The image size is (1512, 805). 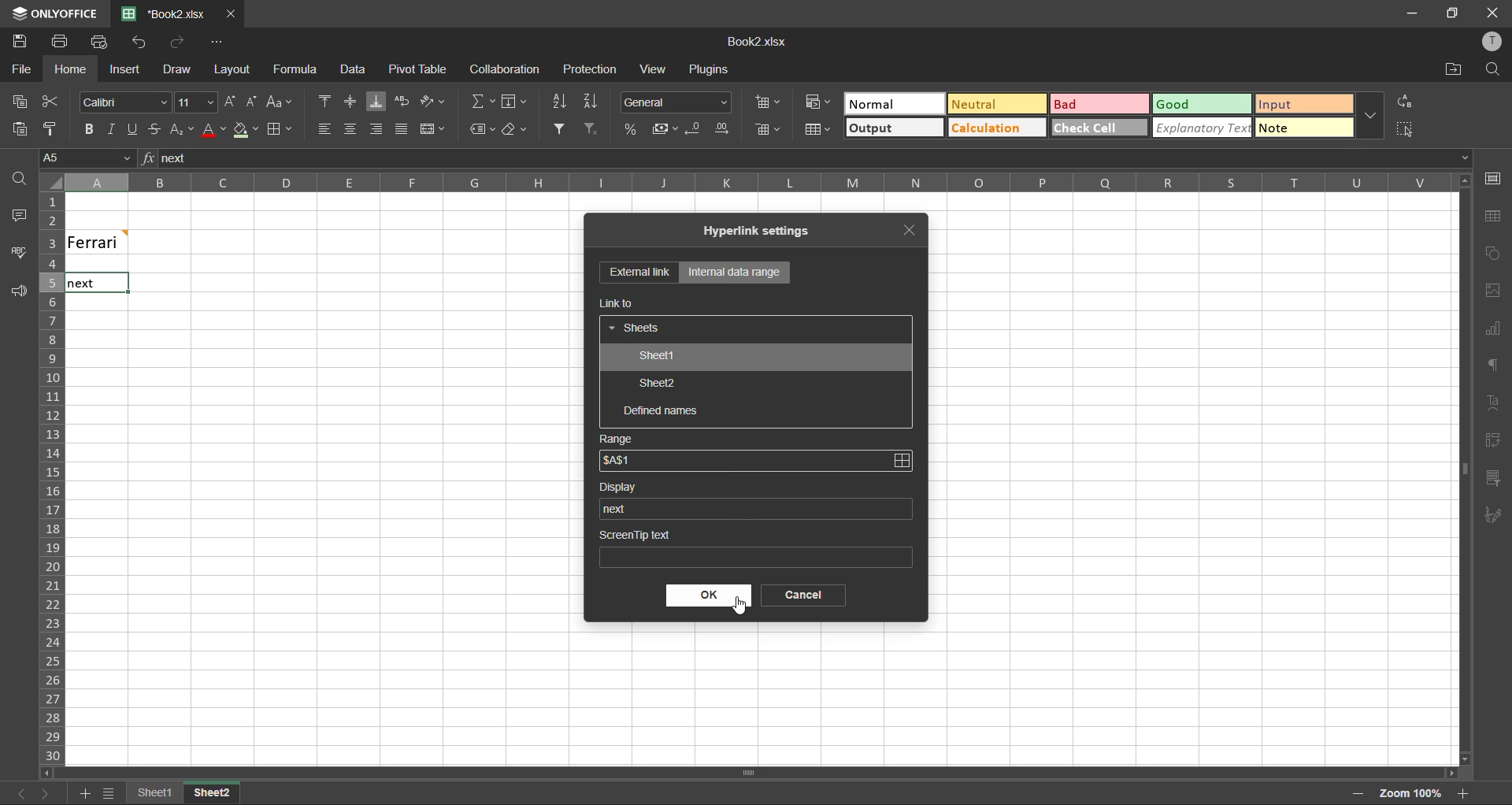 What do you see at coordinates (998, 130) in the screenshot?
I see `calculation` at bounding box center [998, 130].